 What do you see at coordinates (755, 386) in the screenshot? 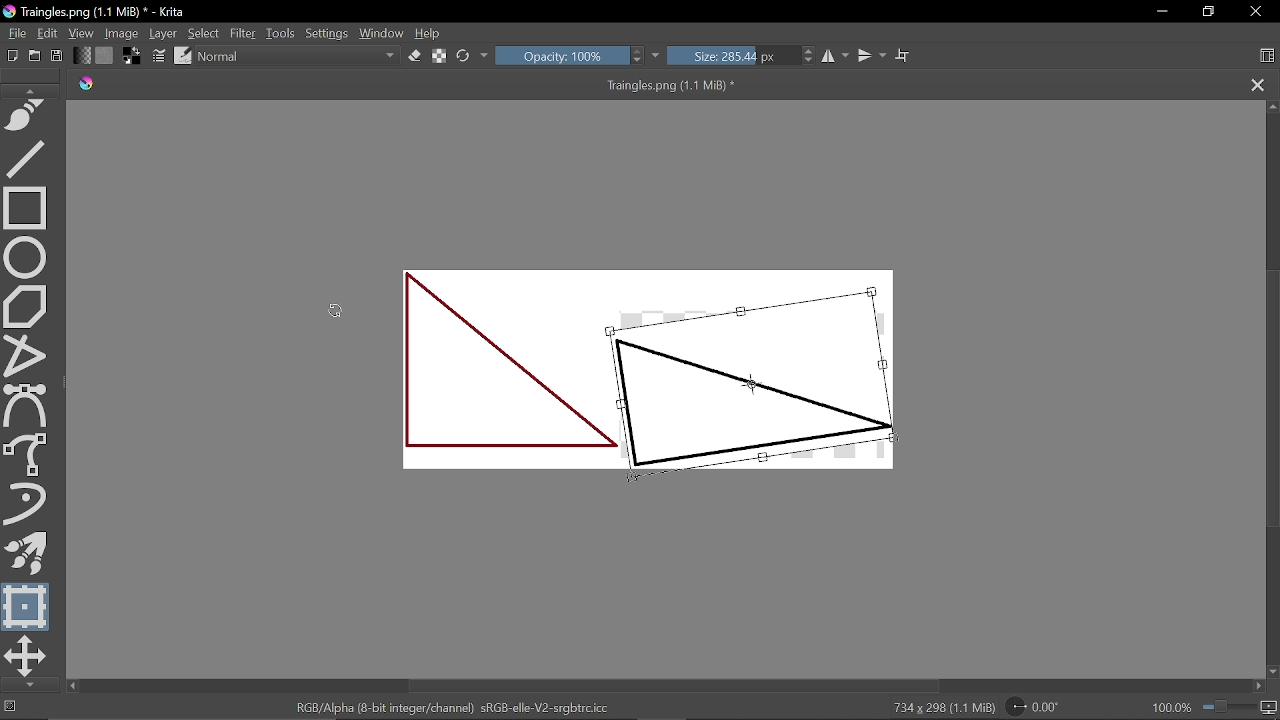
I see `Cursor` at bounding box center [755, 386].